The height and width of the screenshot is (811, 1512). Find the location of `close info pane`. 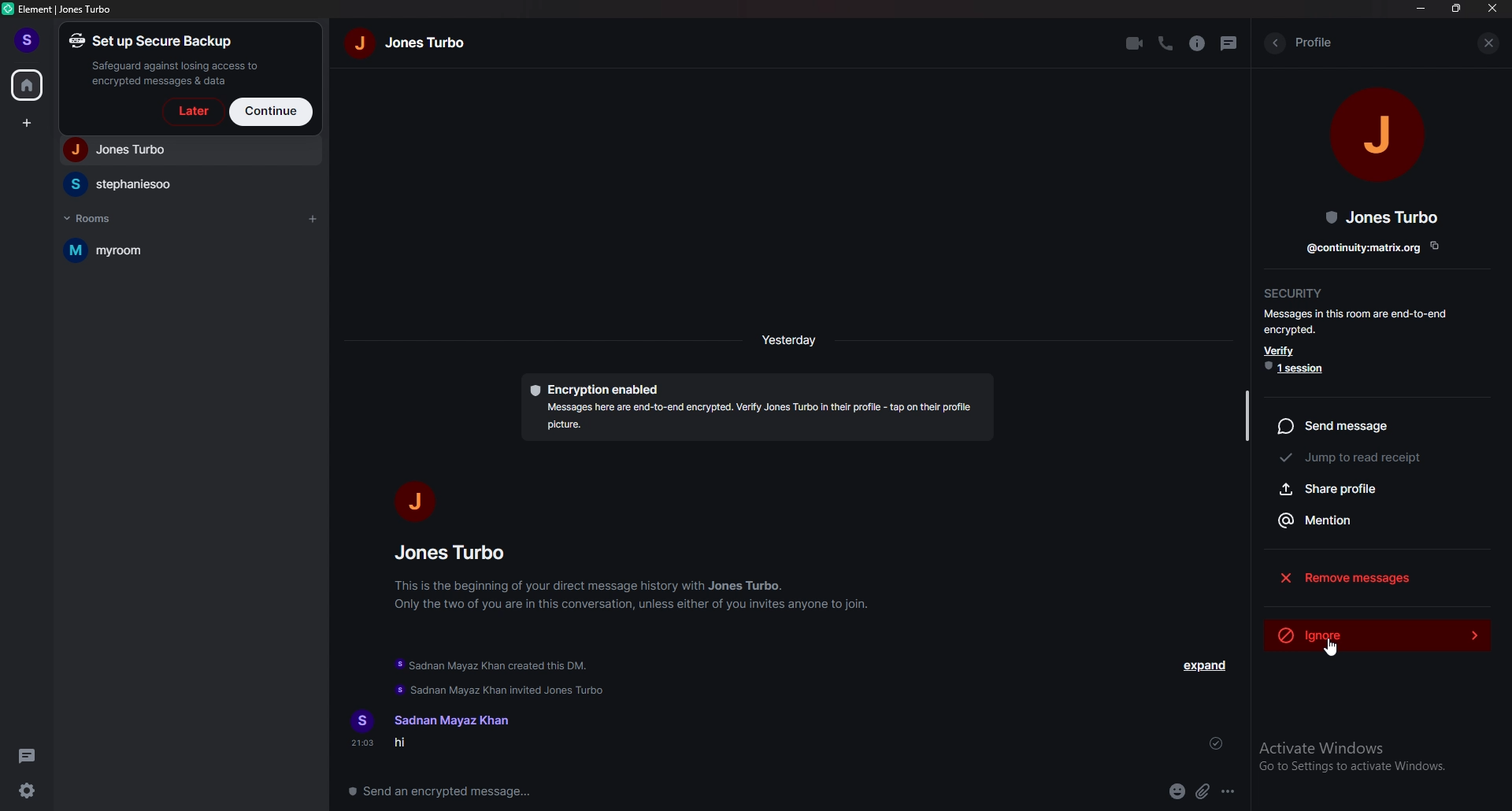

close info pane is located at coordinates (1491, 44).